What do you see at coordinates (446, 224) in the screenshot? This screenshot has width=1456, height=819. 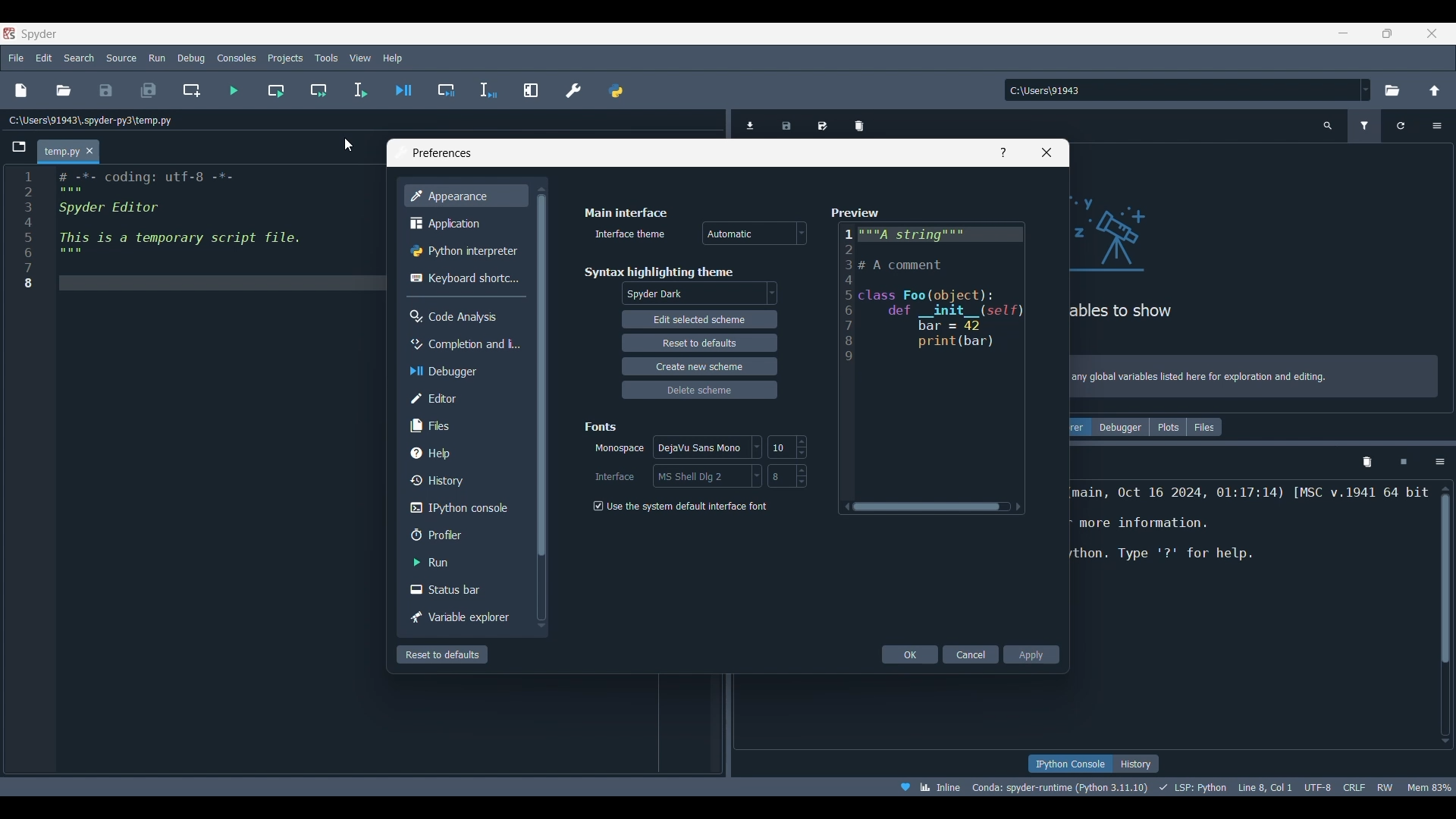 I see `application` at bounding box center [446, 224].